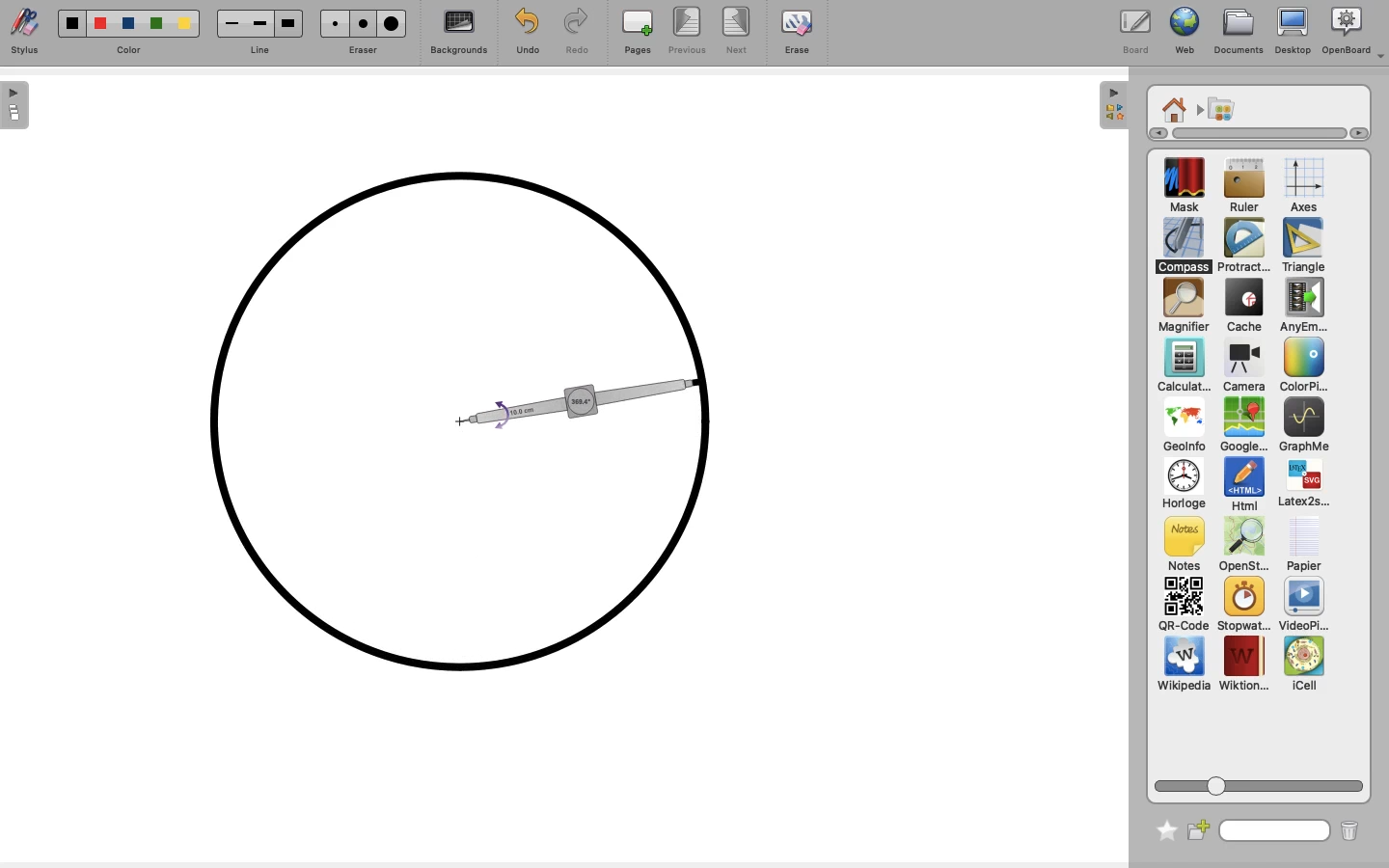  What do you see at coordinates (1303, 426) in the screenshot?
I see `GraphMe` at bounding box center [1303, 426].